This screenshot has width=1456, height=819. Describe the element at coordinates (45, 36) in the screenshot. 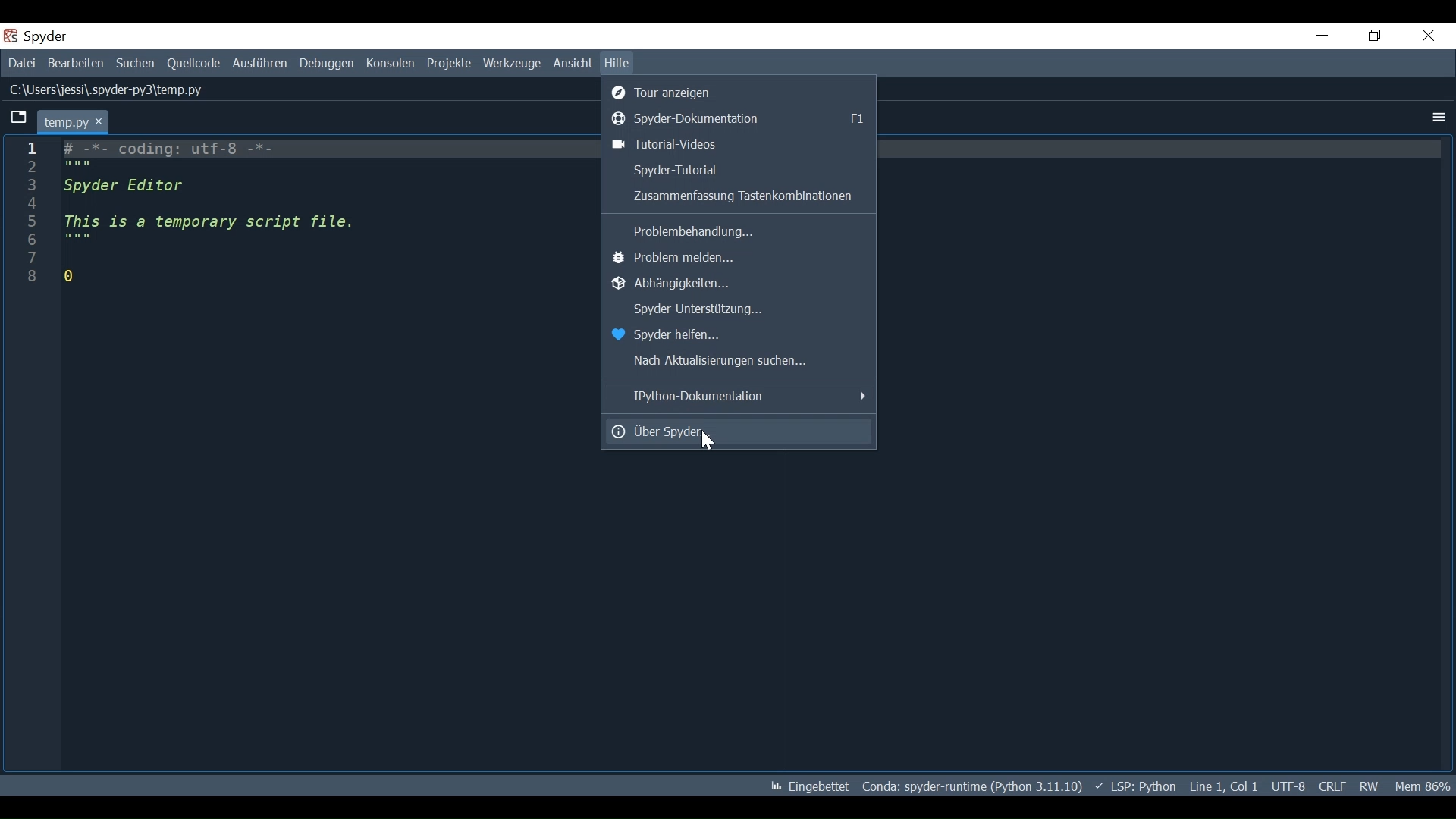

I see `spyder` at that location.